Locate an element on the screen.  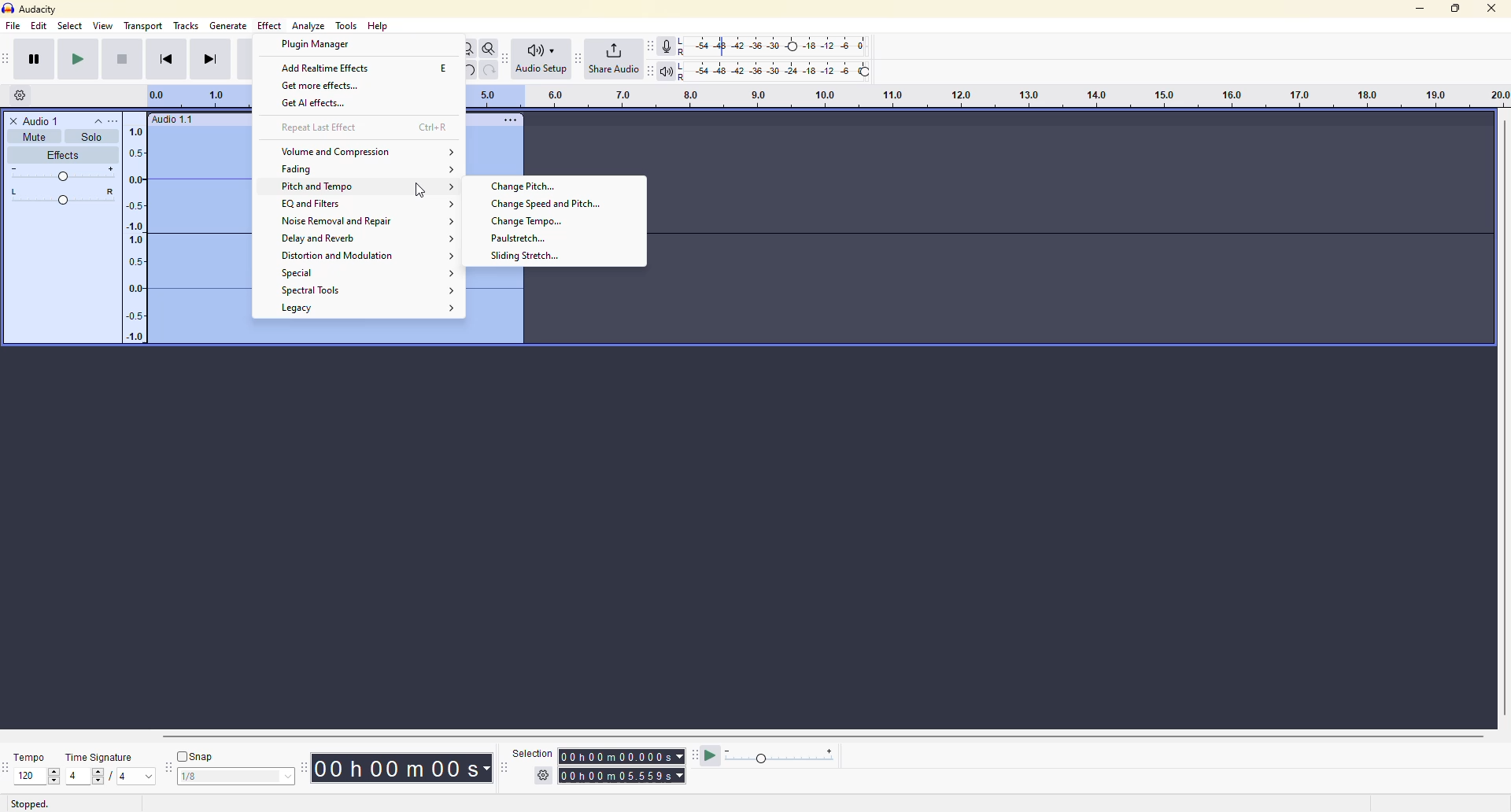
eq and filters is located at coordinates (313, 205).